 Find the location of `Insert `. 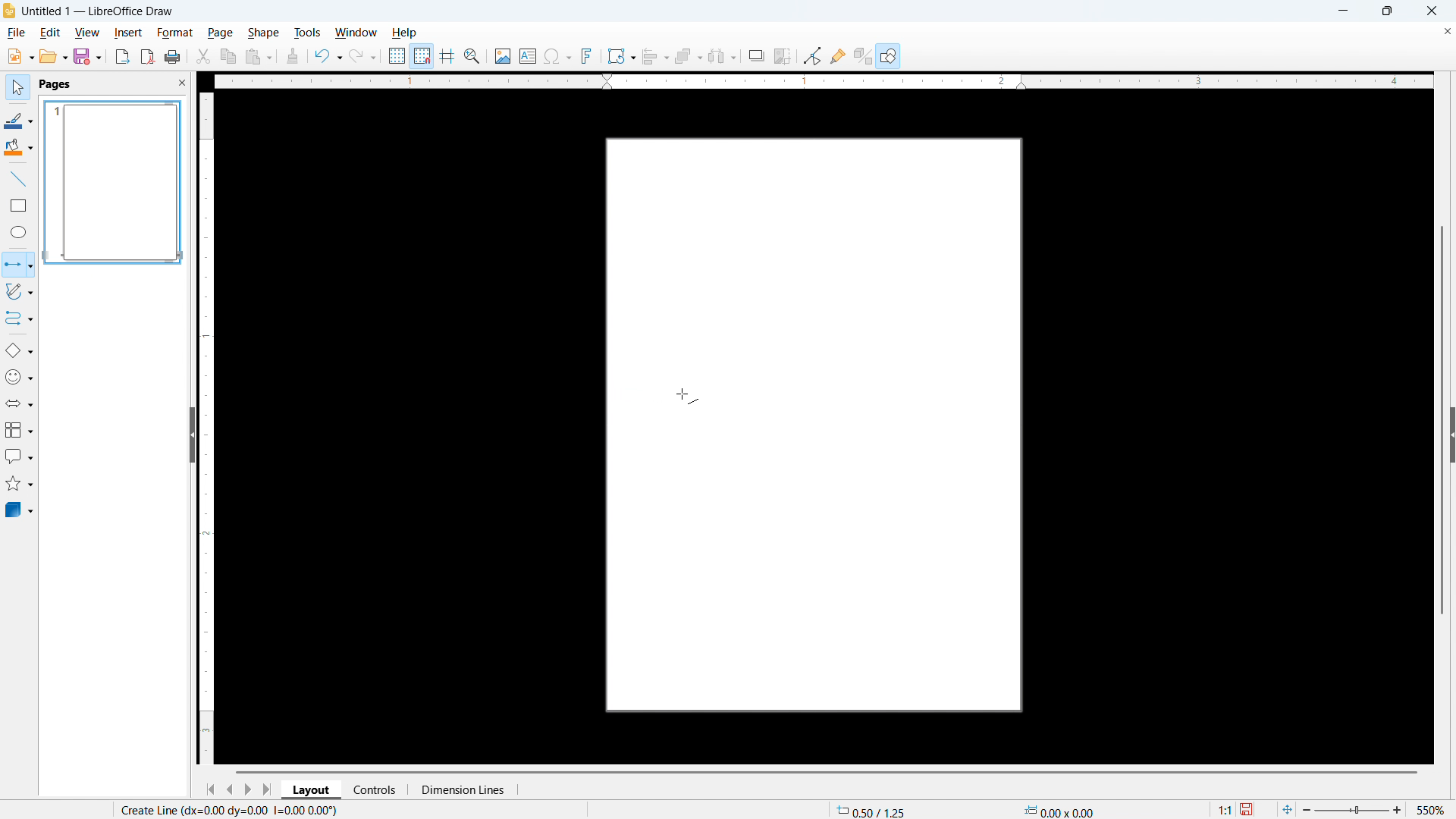

Insert  is located at coordinates (127, 32).